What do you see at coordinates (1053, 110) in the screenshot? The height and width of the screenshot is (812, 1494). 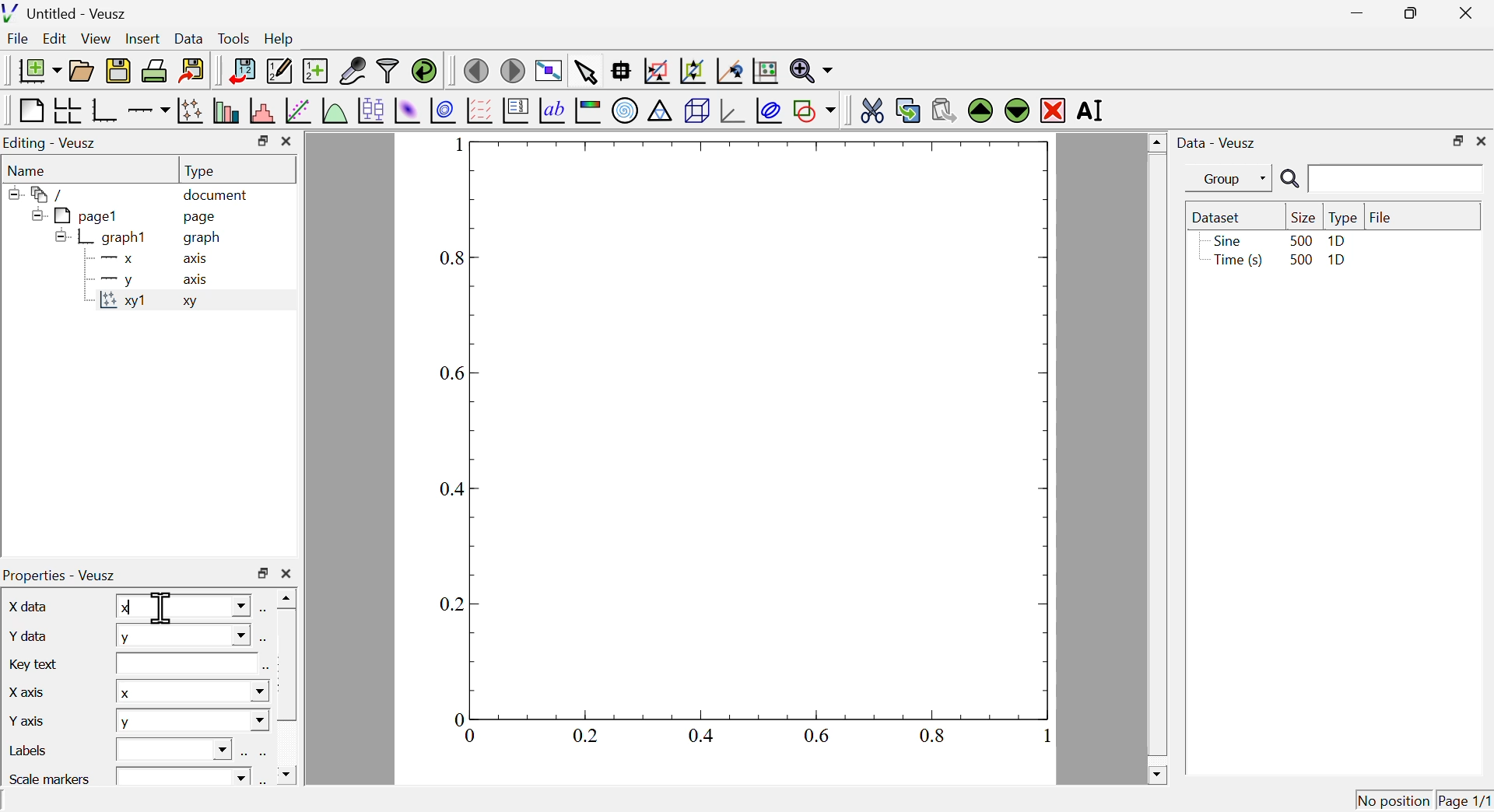 I see `remove the selected widget` at bounding box center [1053, 110].